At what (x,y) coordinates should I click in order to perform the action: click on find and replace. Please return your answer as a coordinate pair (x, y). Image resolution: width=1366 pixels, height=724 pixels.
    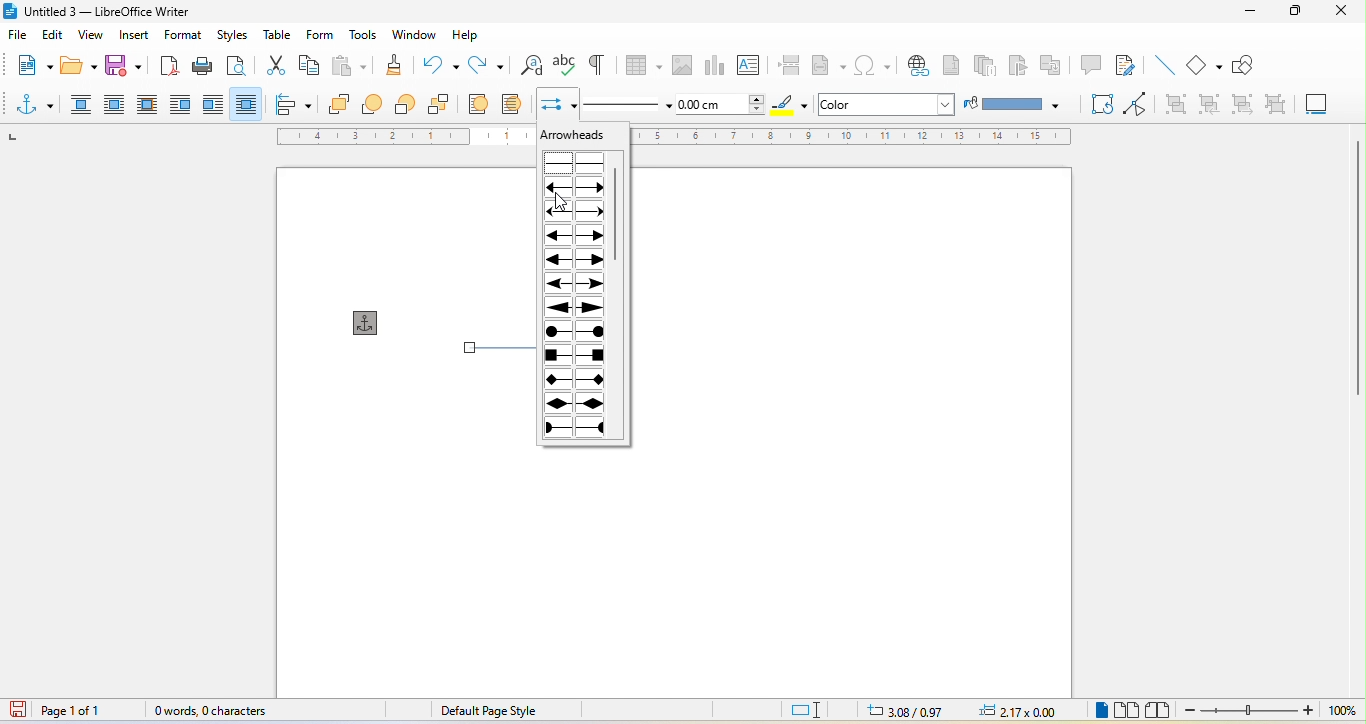
    Looking at the image, I should click on (532, 65).